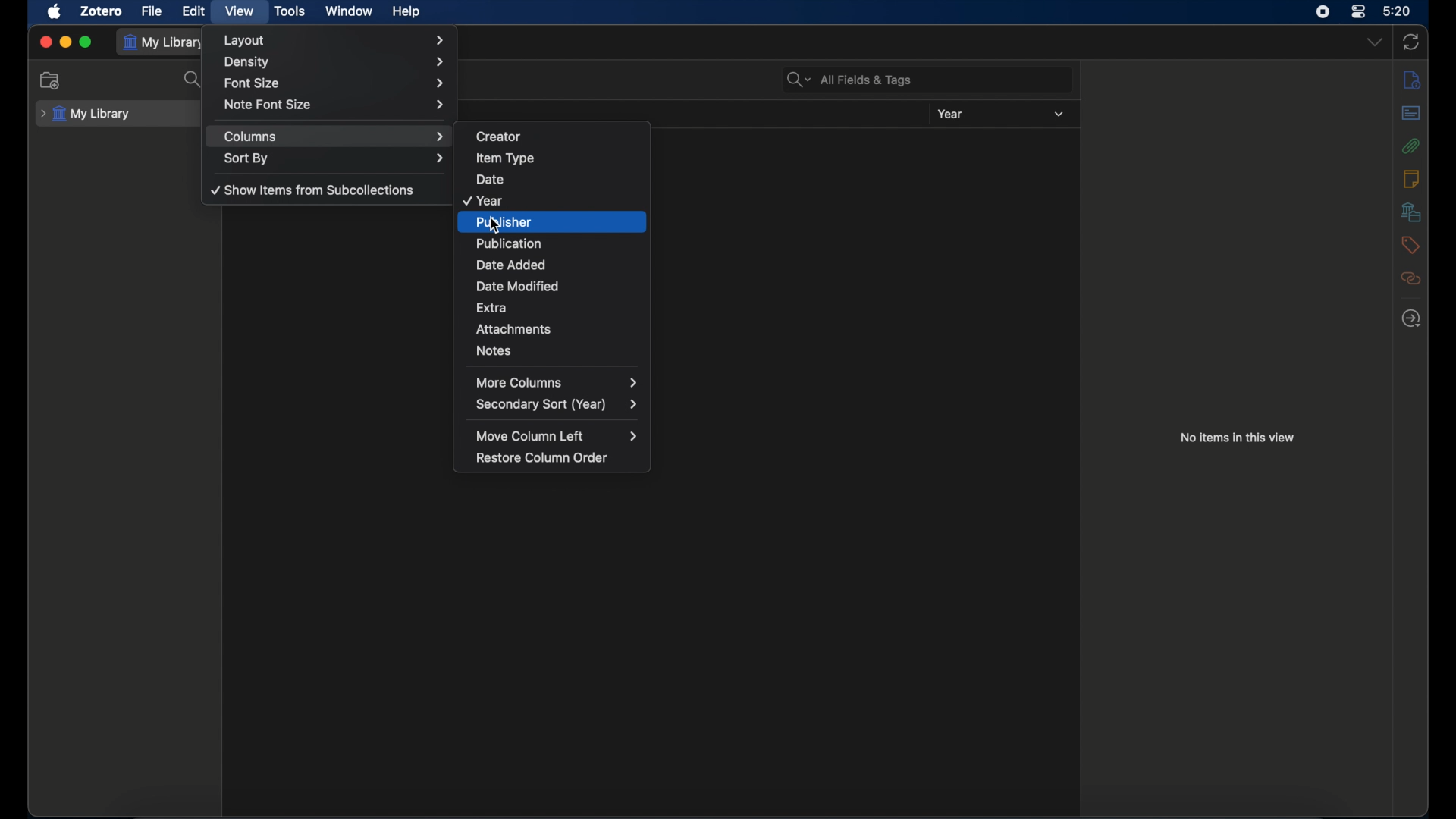 Image resolution: width=1456 pixels, height=819 pixels. I want to click on density, so click(334, 62).